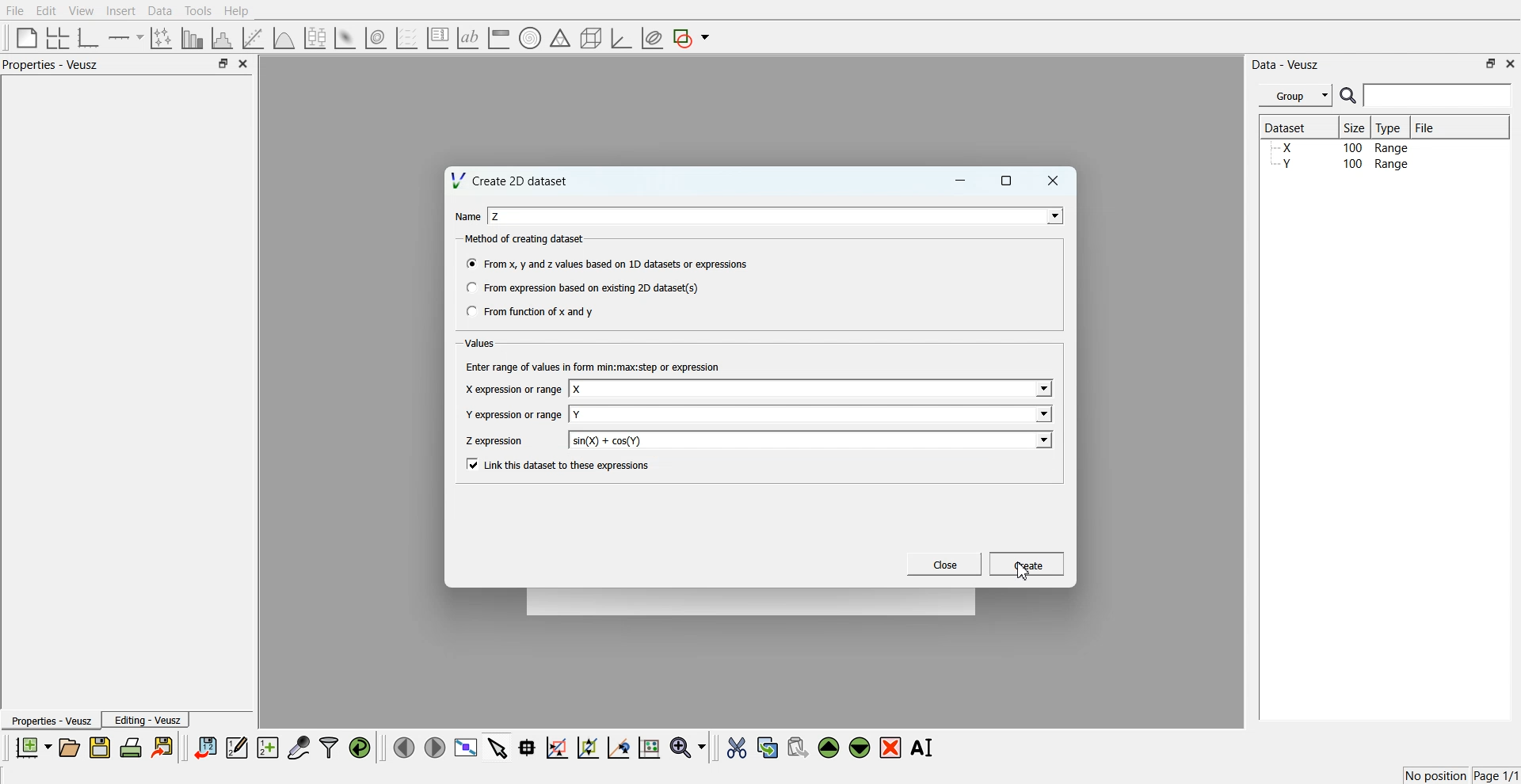  I want to click on Histogram of dataset, so click(220, 39).